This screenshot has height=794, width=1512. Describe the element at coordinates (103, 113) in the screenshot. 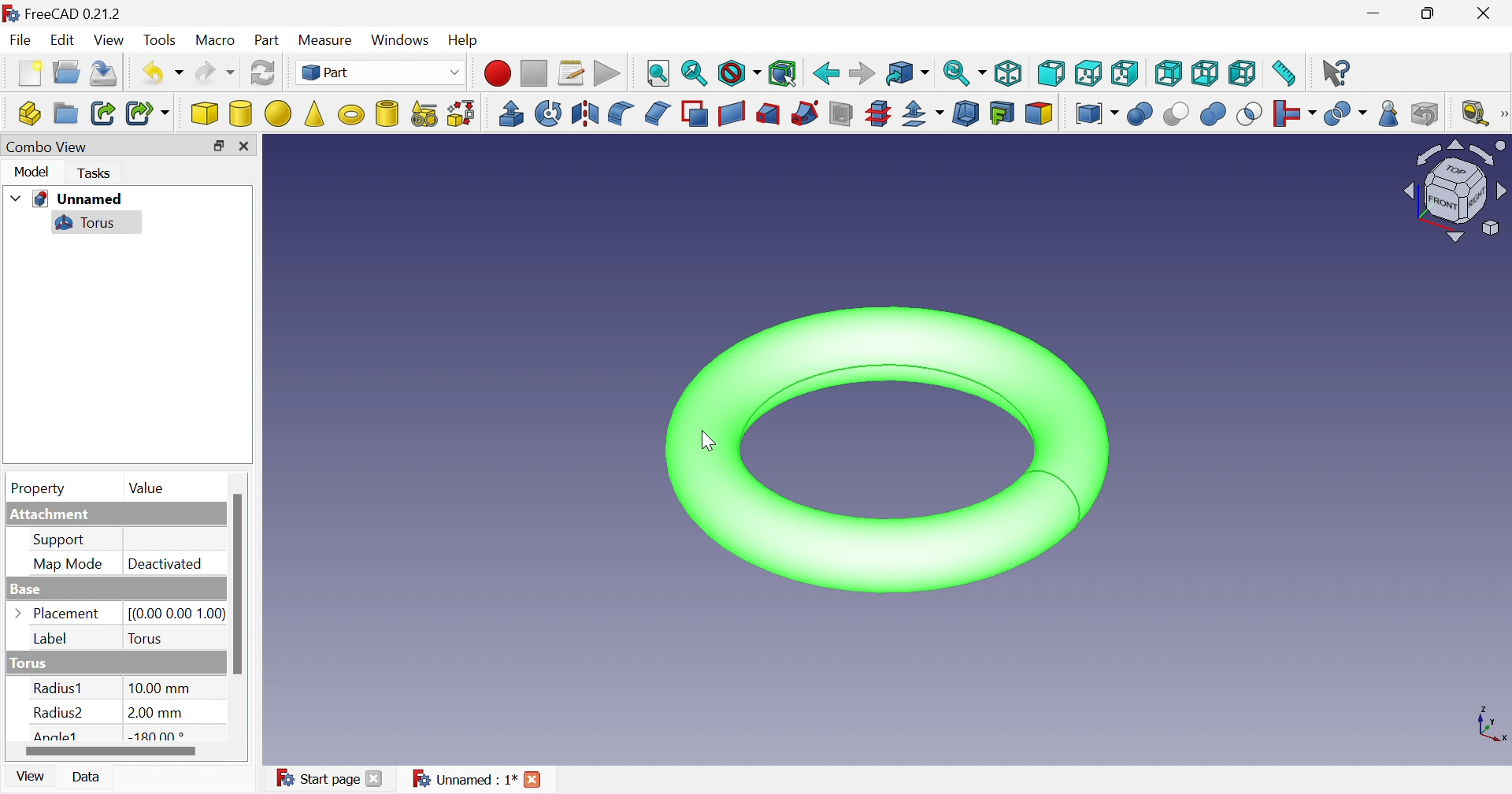

I see `Make link` at that location.